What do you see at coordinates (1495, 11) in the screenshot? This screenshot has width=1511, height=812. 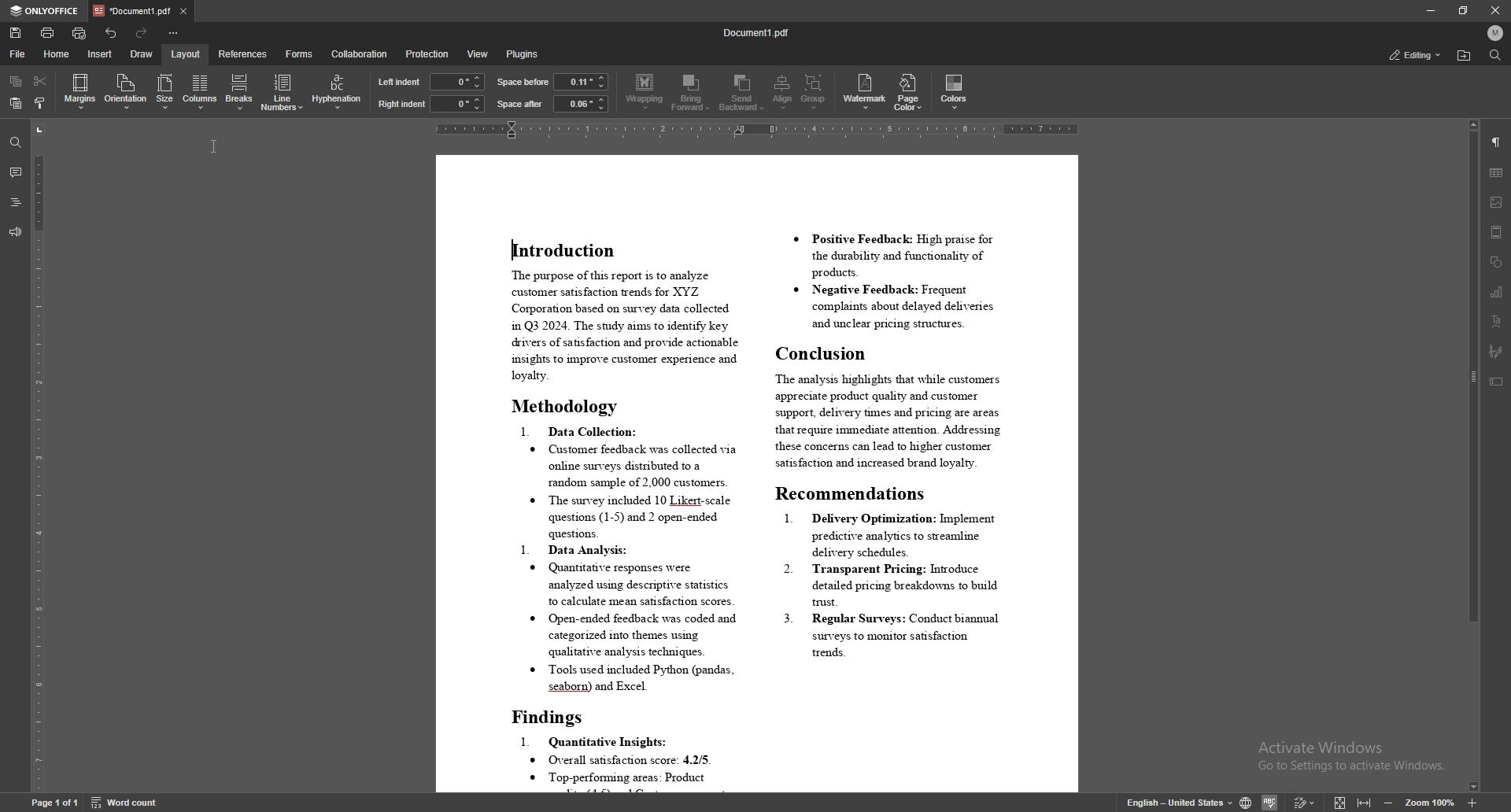 I see `close` at bounding box center [1495, 11].